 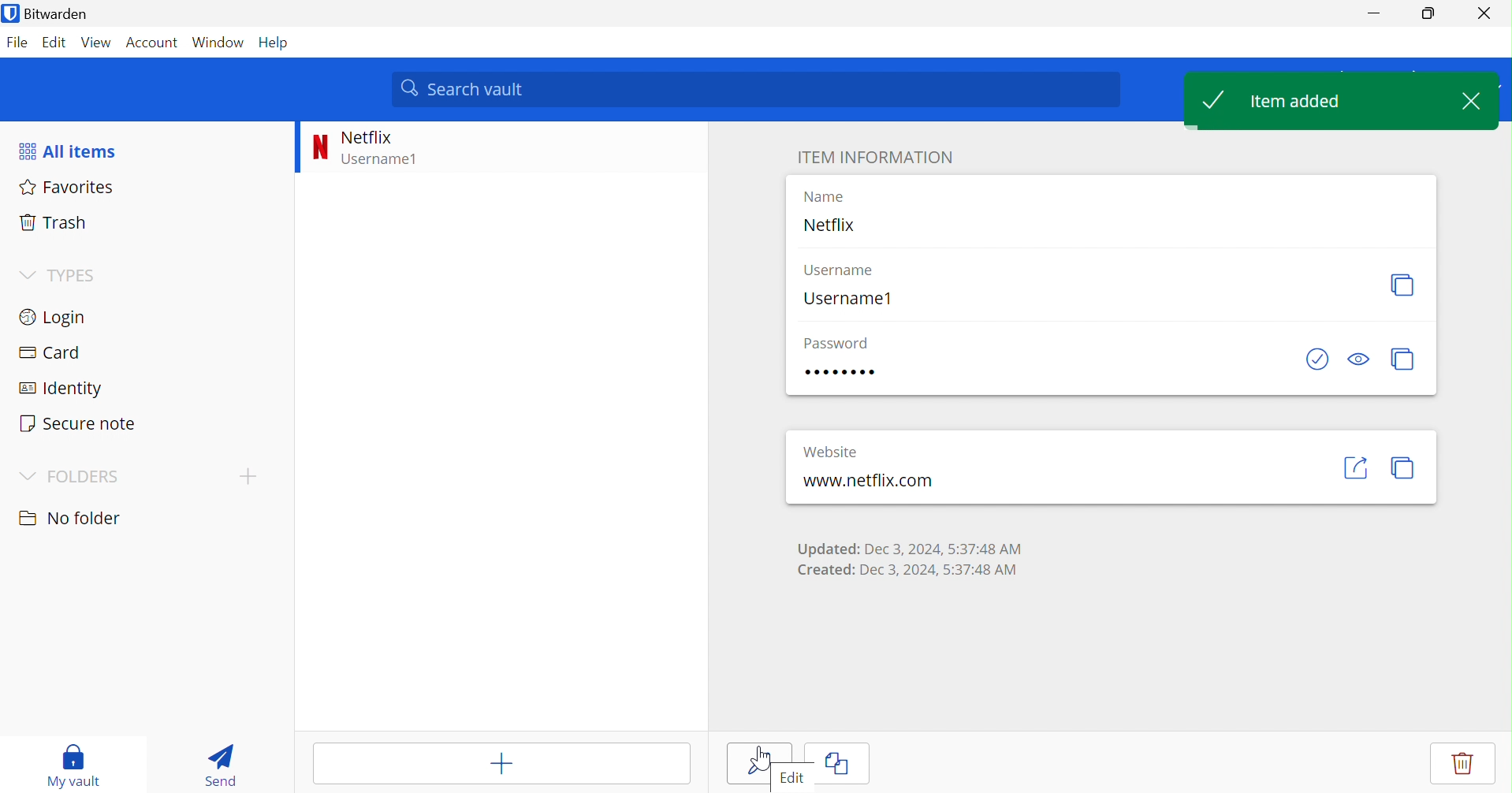 I want to click on Item added, so click(x=1316, y=99).